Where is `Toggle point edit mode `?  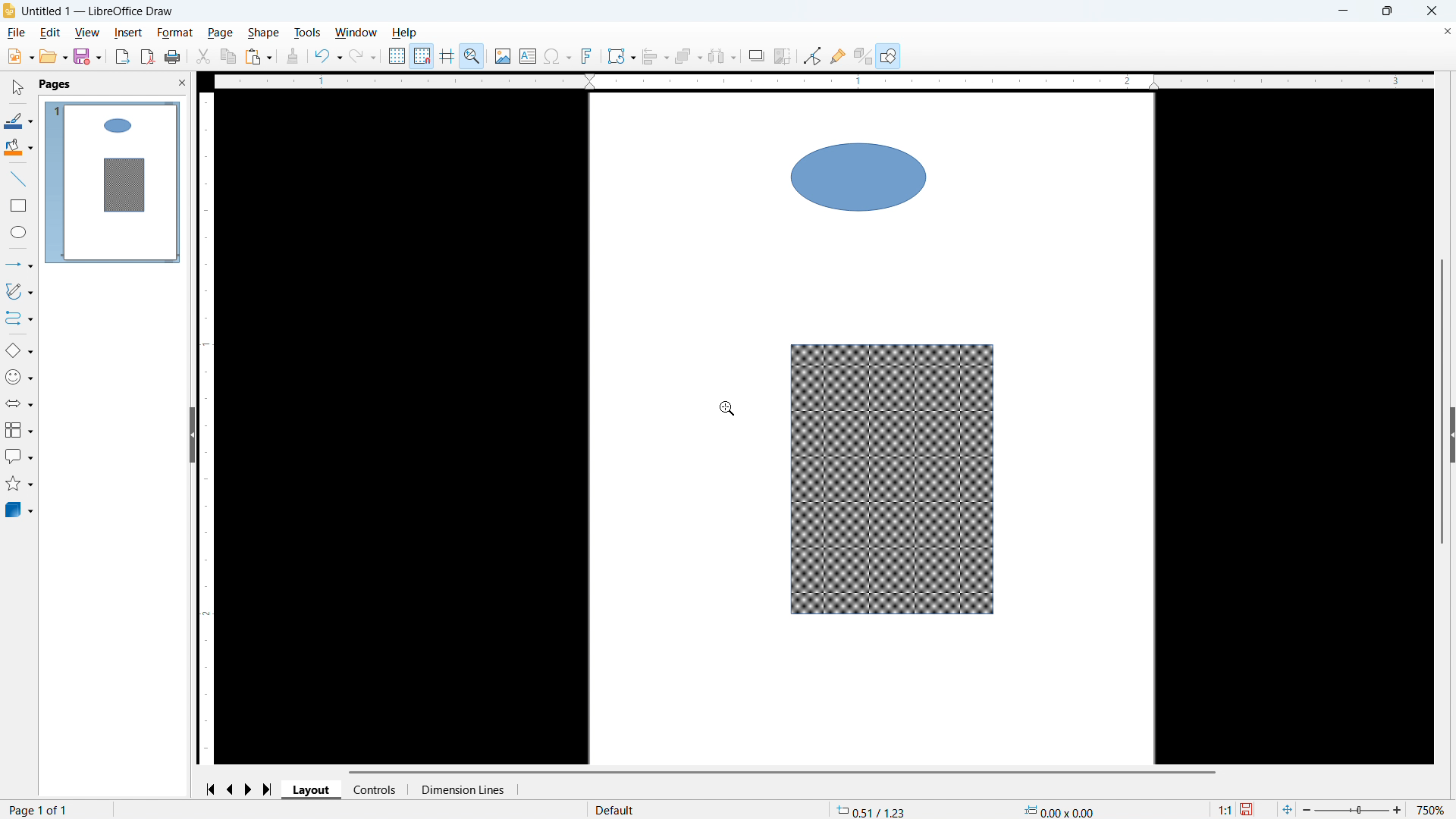 Toggle point edit mode  is located at coordinates (812, 56).